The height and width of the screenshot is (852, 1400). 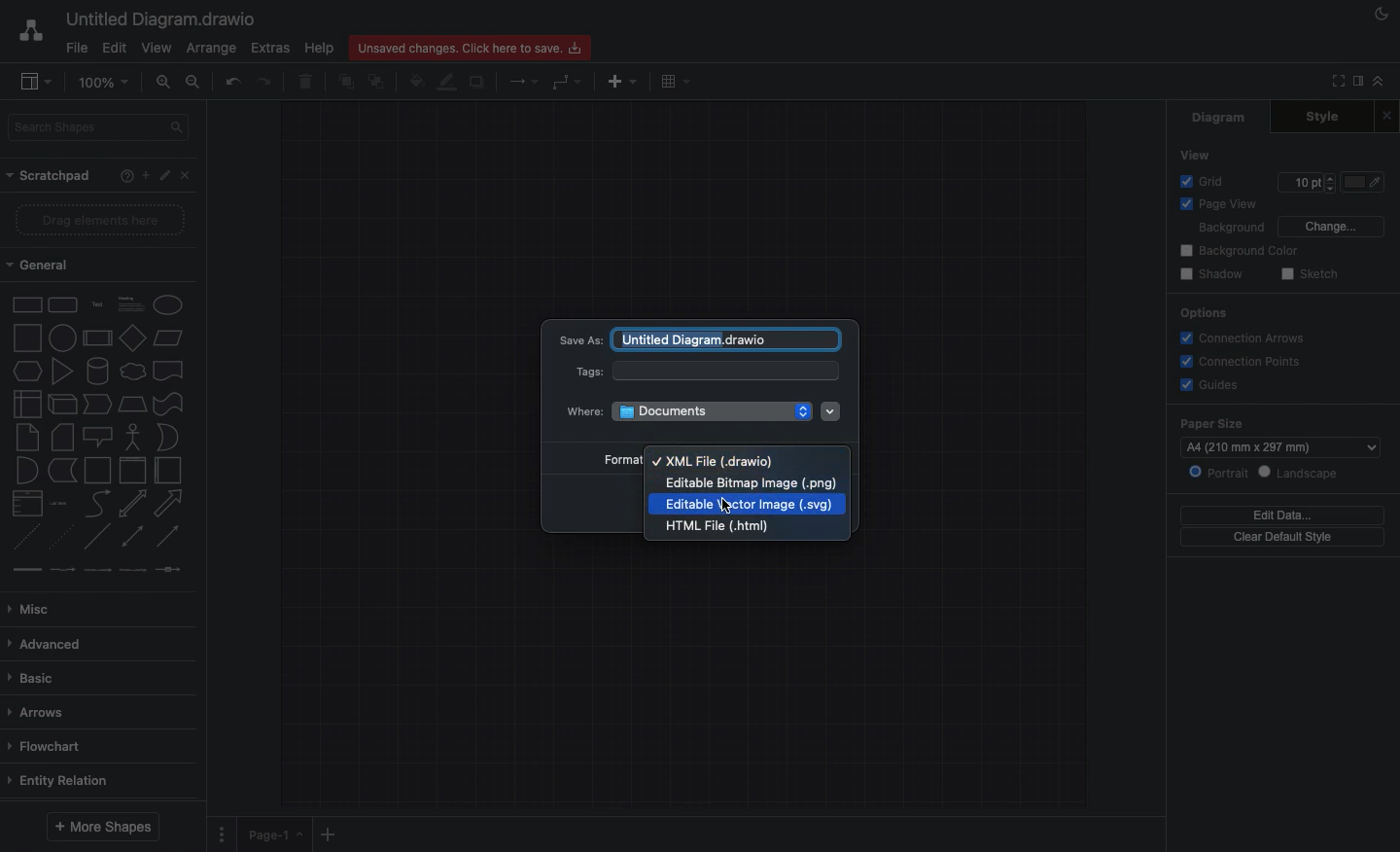 What do you see at coordinates (1205, 313) in the screenshot?
I see `Options` at bounding box center [1205, 313].